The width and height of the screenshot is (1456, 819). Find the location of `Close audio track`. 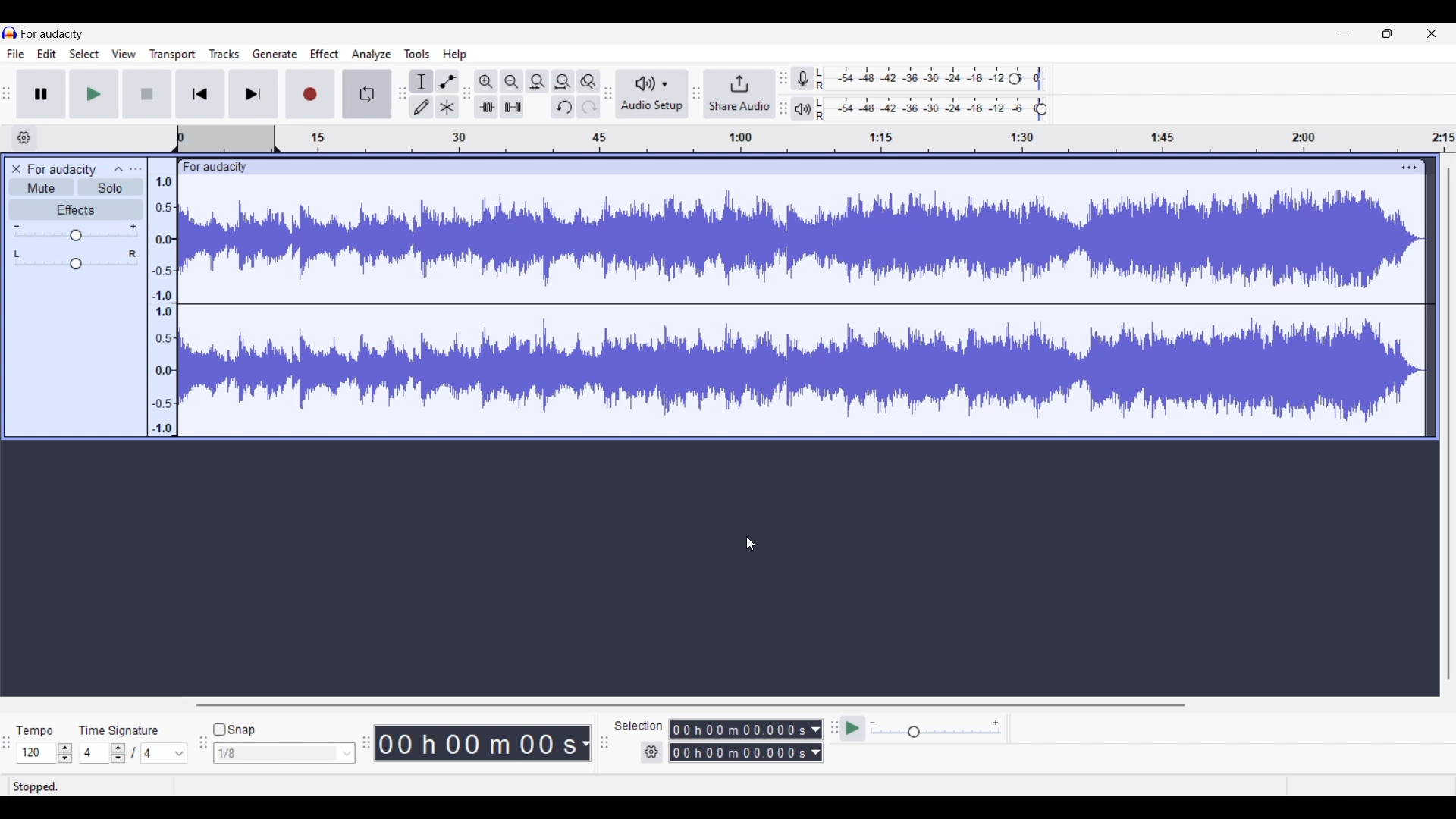

Close audio track is located at coordinates (16, 169).